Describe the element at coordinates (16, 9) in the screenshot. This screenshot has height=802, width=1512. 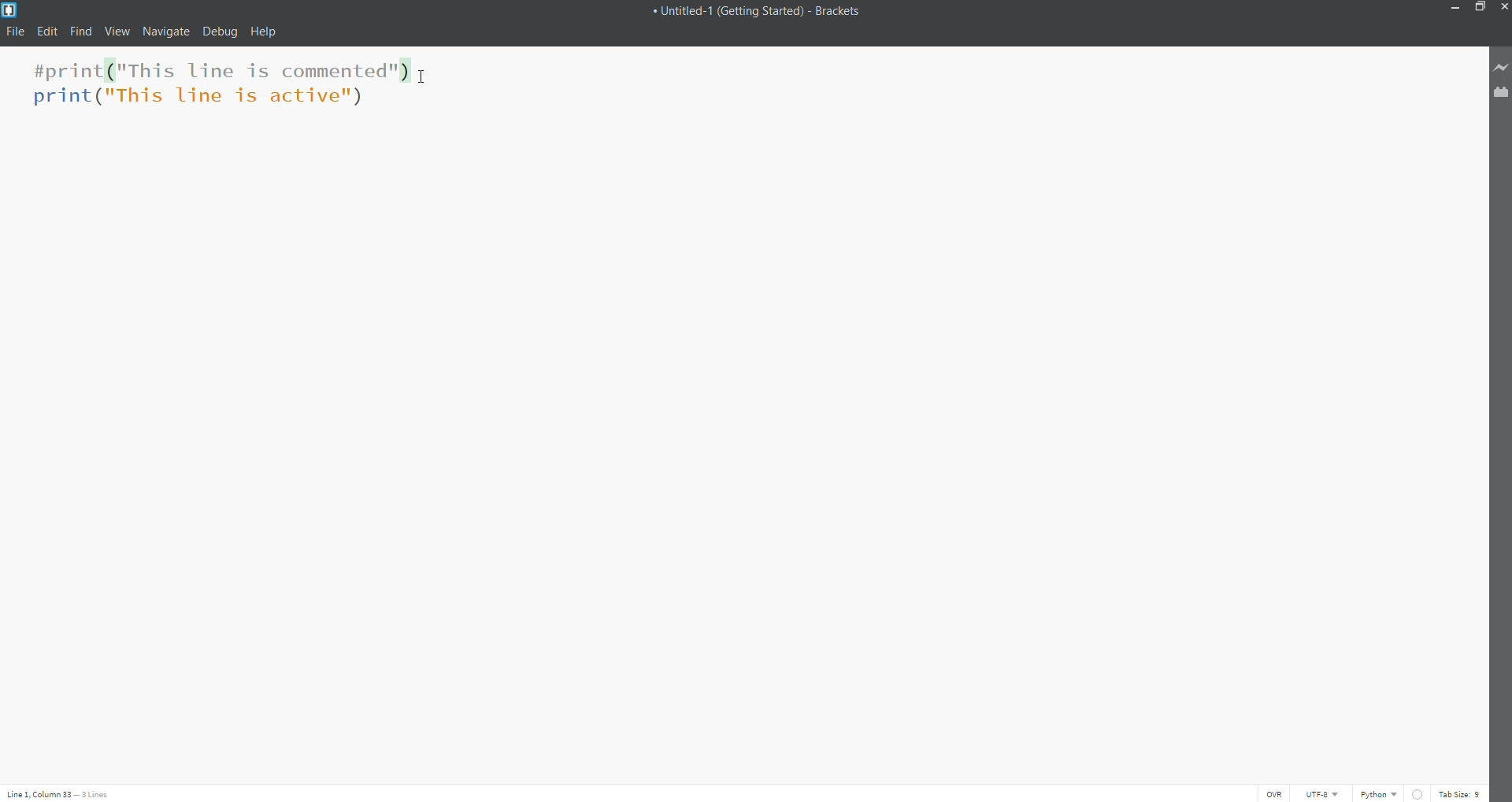
I see `Logo` at that location.